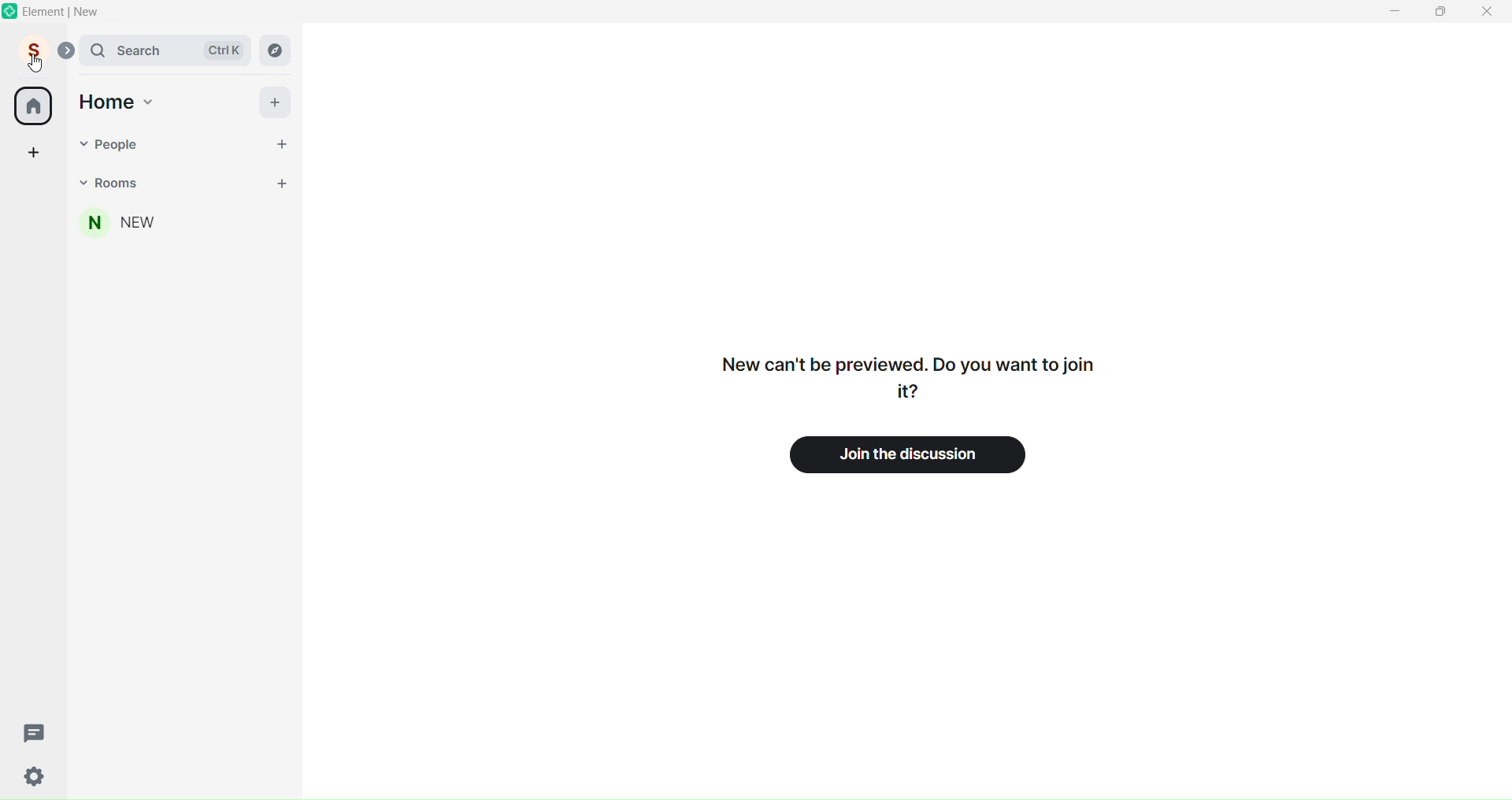  Describe the element at coordinates (79, 143) in the screenshot. I see `Dropdown` at that location.